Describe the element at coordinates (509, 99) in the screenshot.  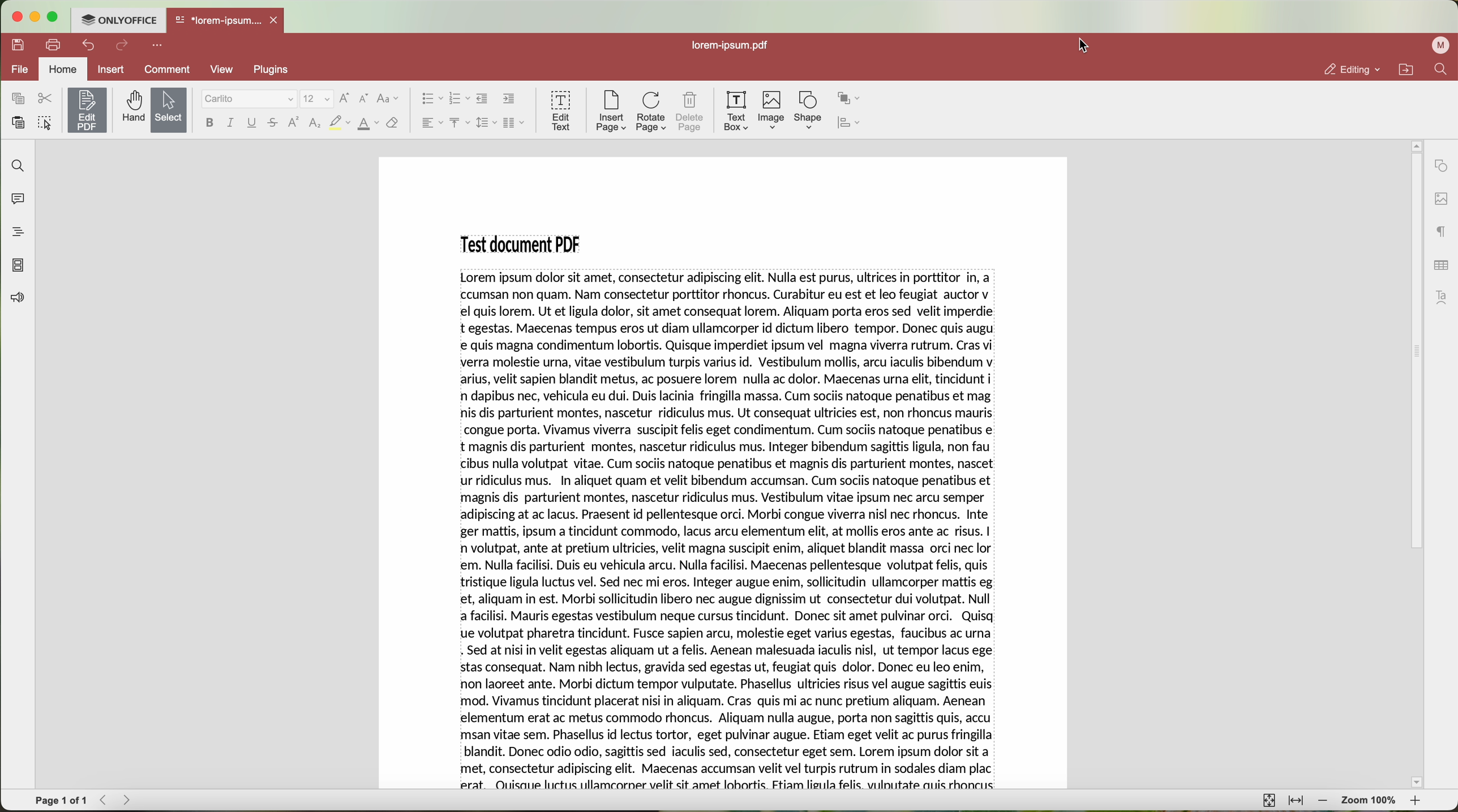
I see `increase indent` at that location.